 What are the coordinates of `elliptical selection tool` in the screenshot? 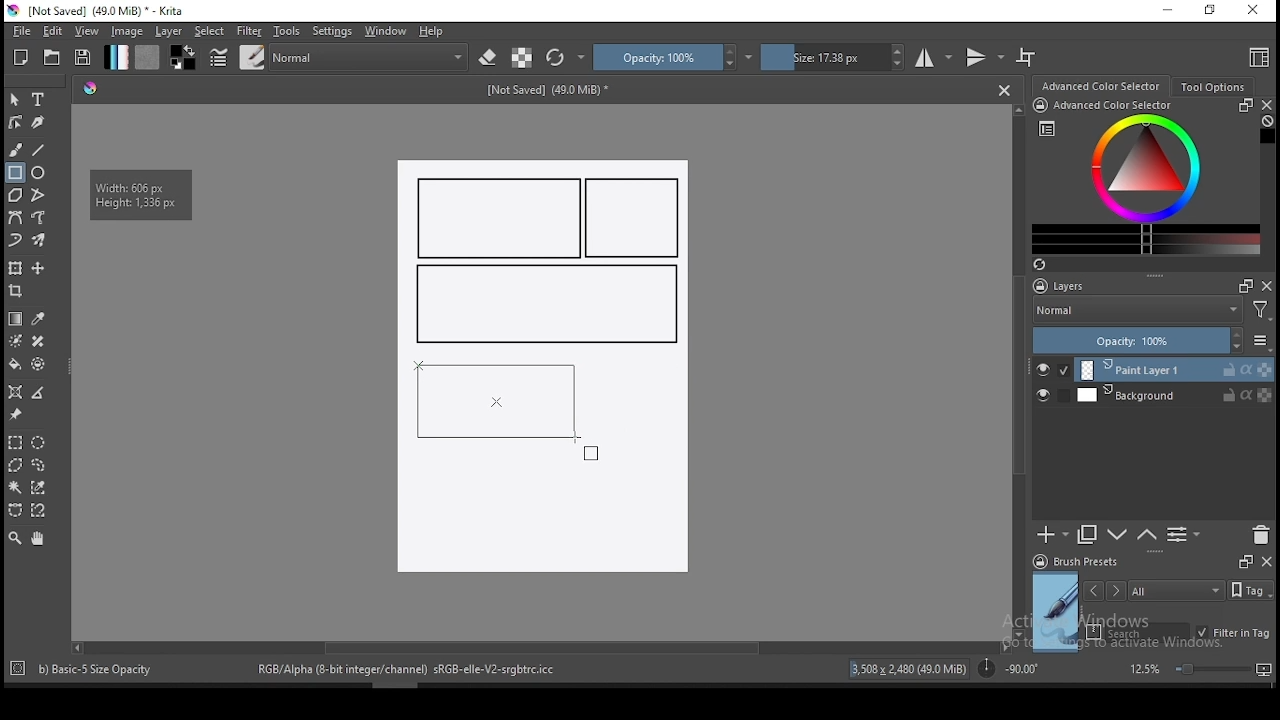 It's located at (38, 443).